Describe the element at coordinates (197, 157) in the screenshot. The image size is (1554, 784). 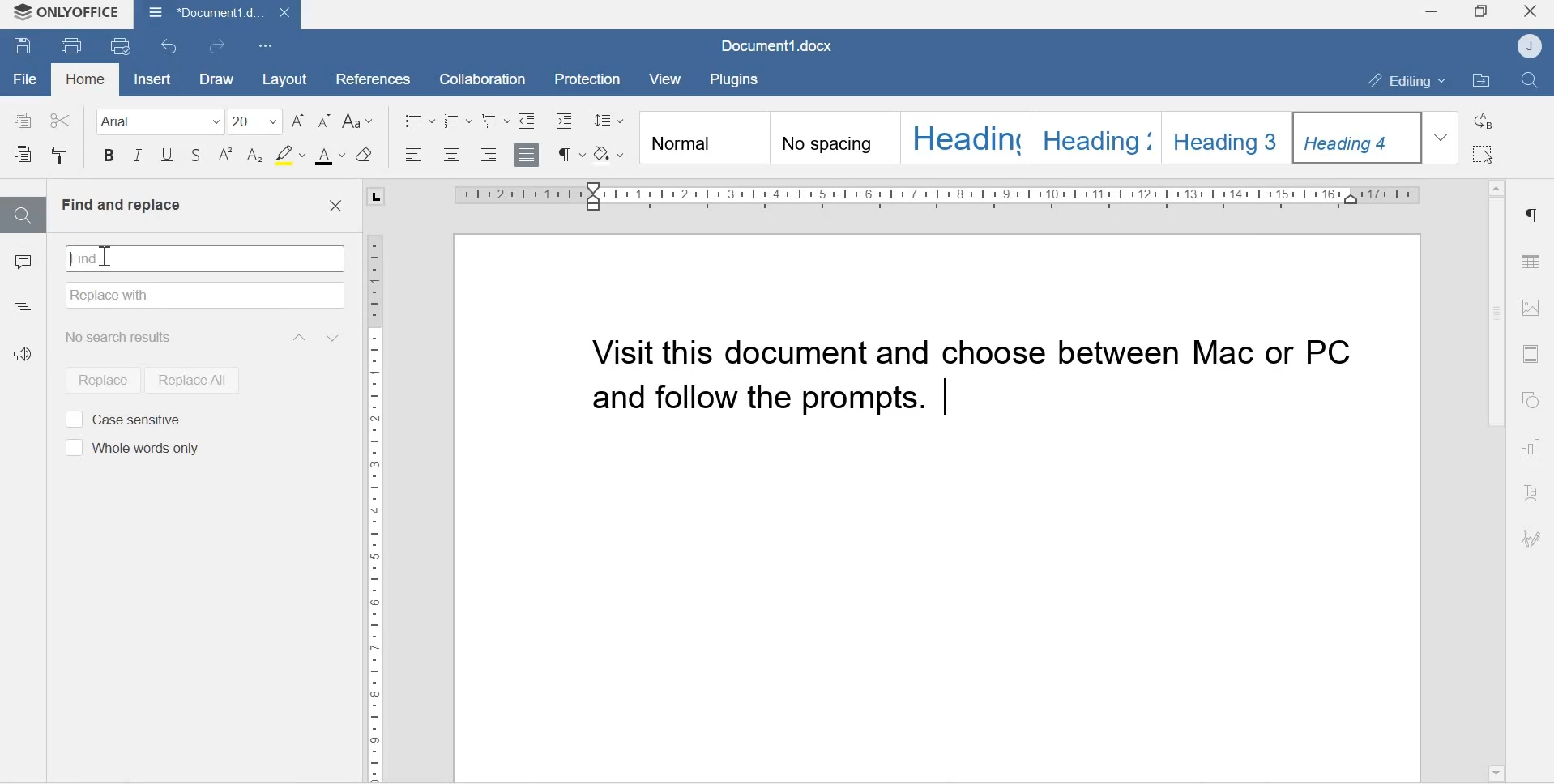
I see `Strikethrough` at that location.